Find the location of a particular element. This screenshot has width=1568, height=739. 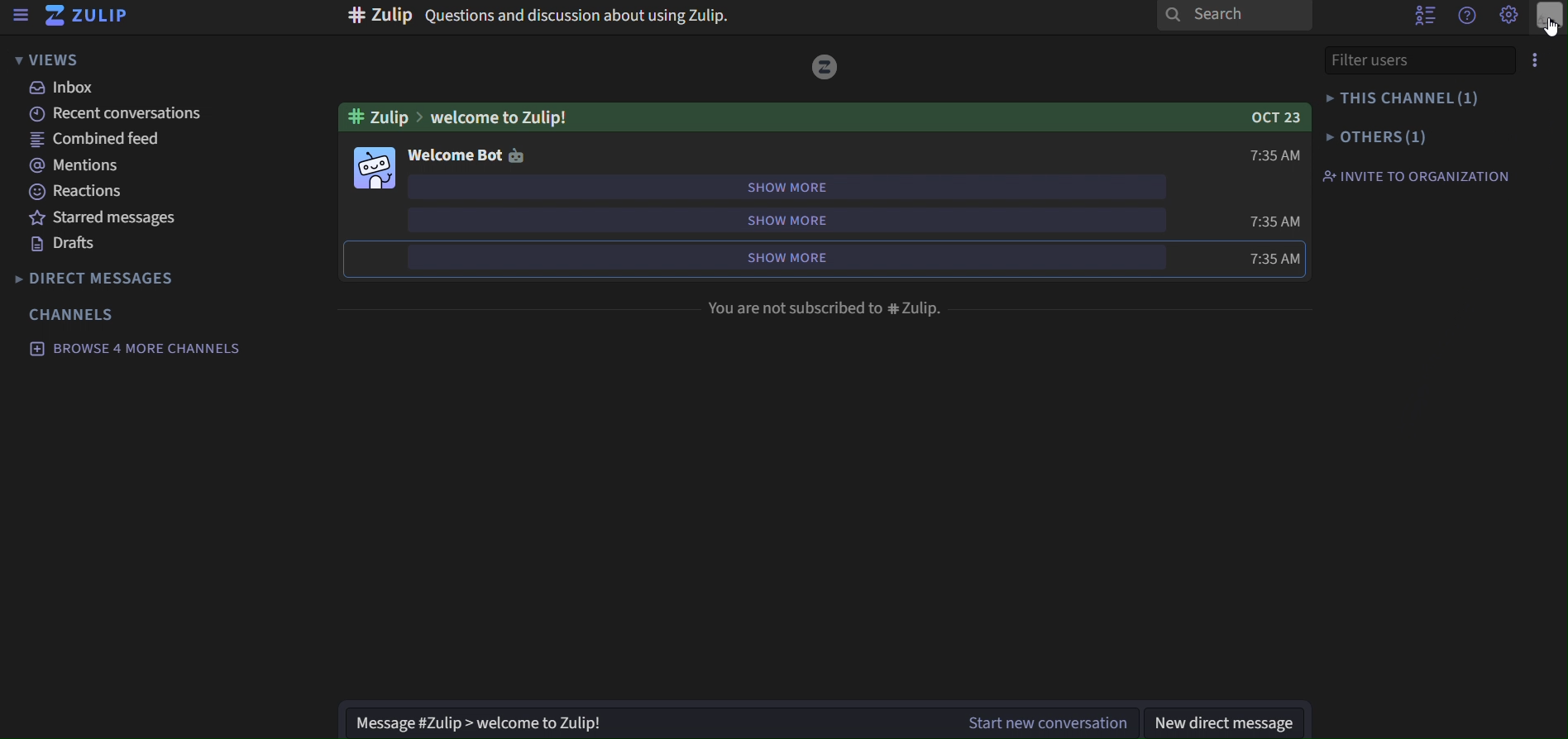

hide sidebar is located at coordinates (22, 16).